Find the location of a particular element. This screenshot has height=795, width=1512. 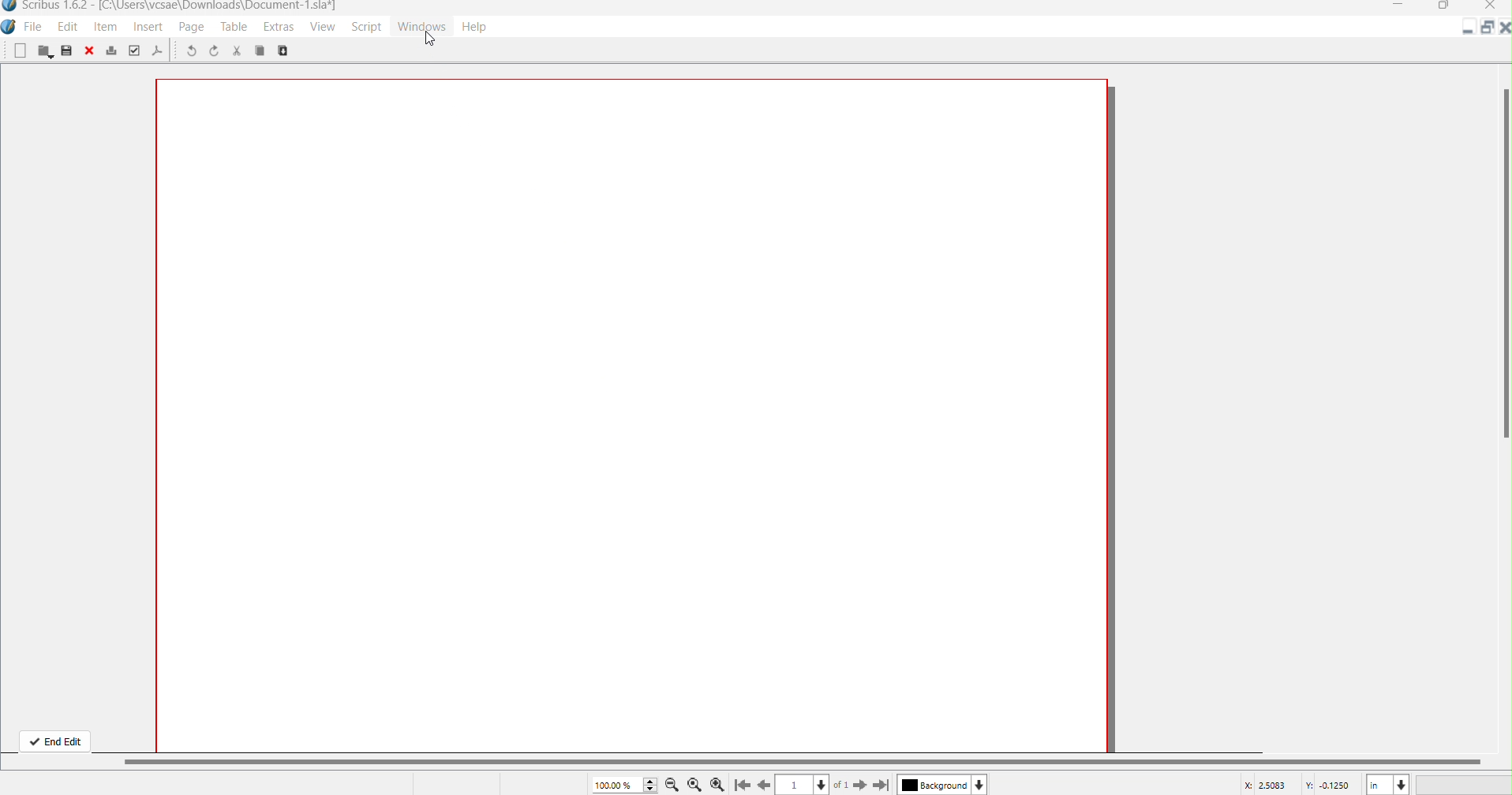

zoom out is located at coordinates (672, 784).